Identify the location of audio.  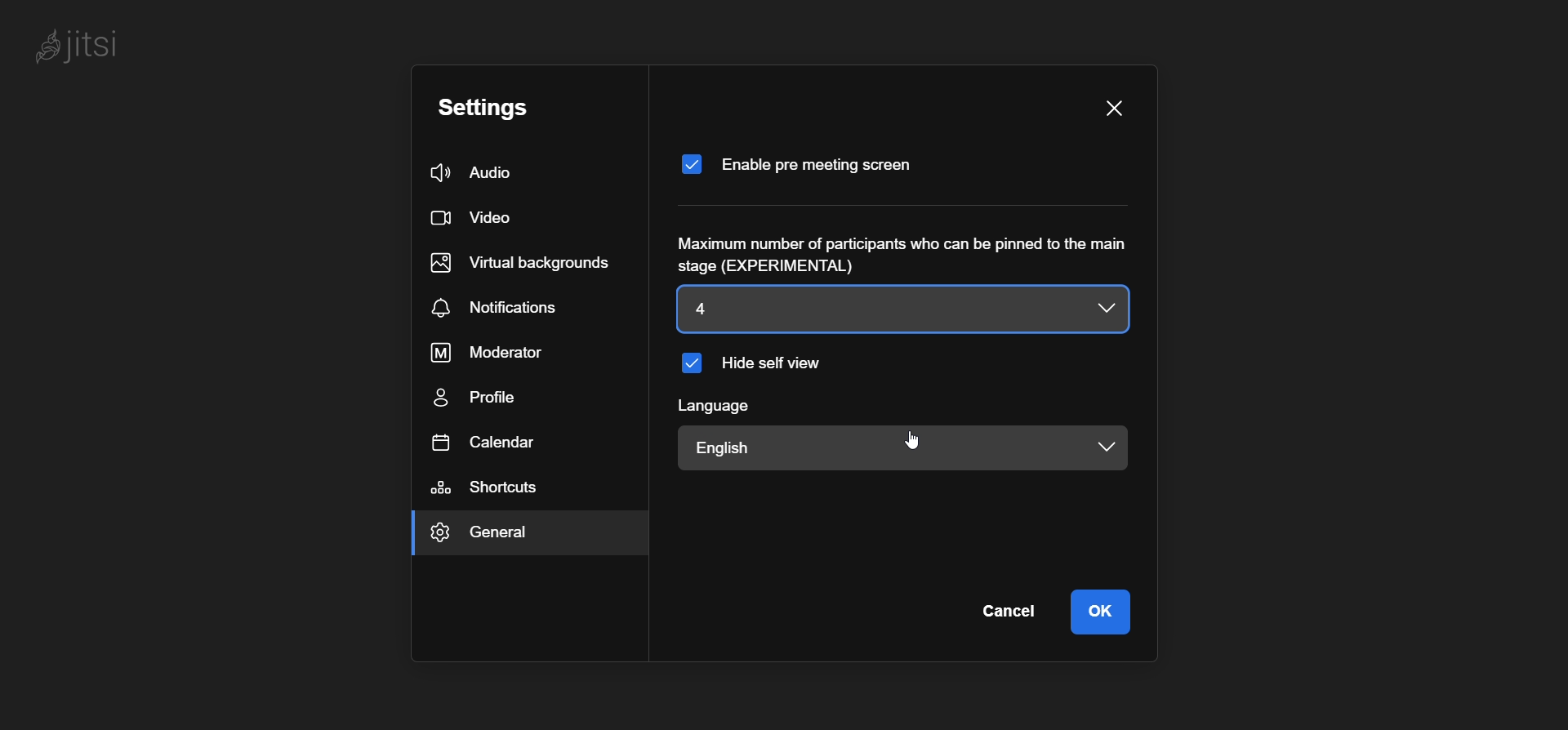
(474, 174).